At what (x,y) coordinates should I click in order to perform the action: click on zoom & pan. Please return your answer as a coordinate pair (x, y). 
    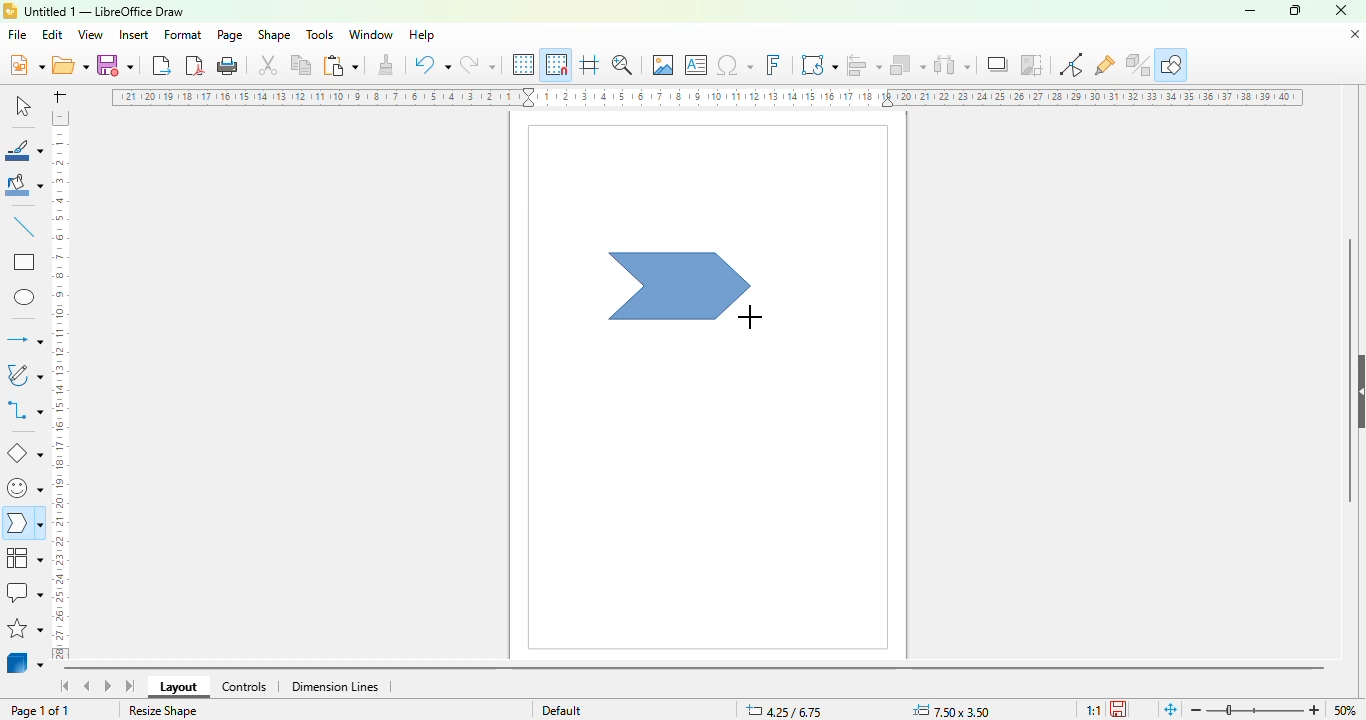
    Looking at the image, I should click on (622, 64).